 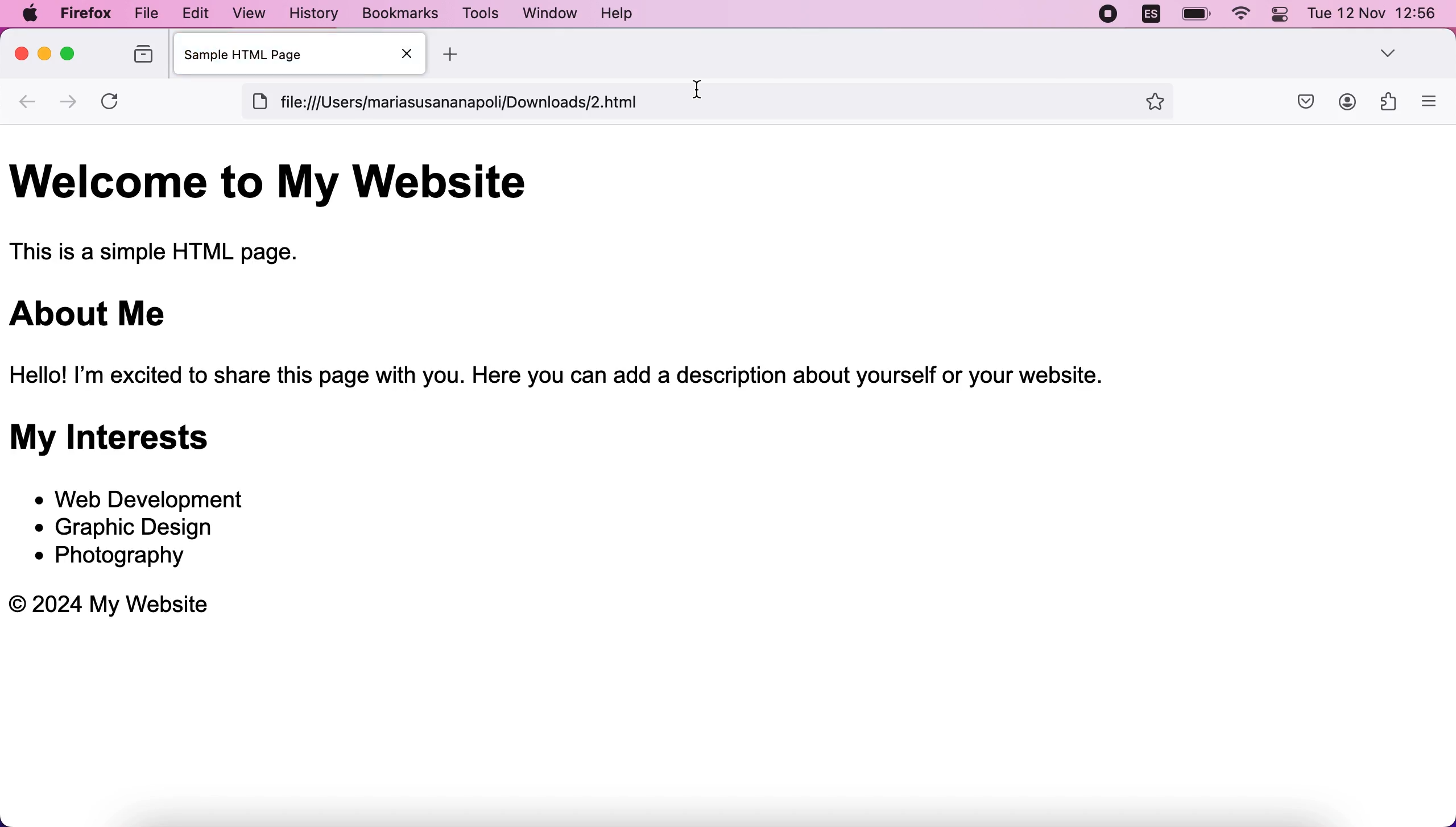 I want to click on file, so click(x=142, y=13).